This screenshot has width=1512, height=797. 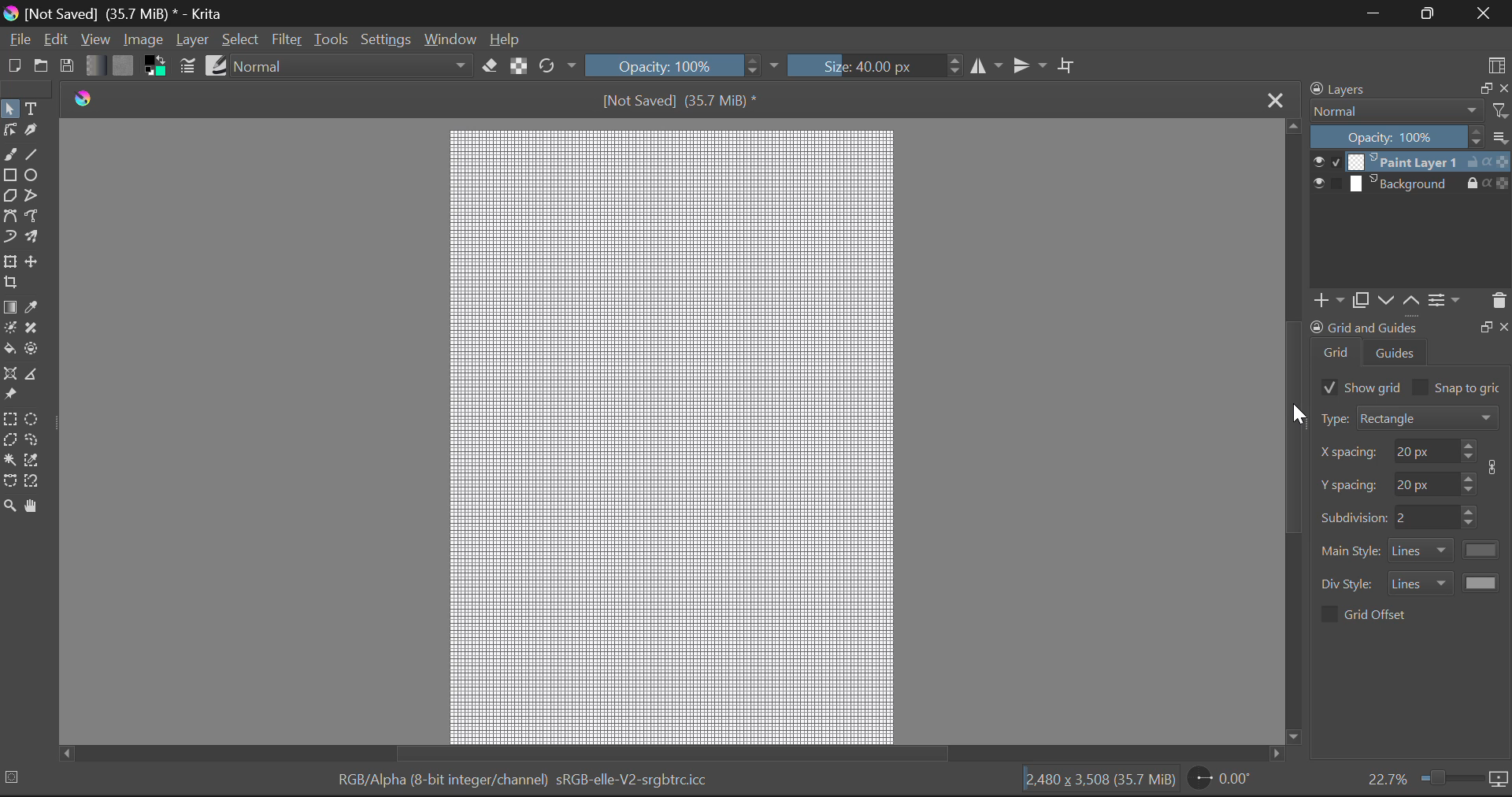 What do you see at coordinates (330, 39) in the screenshot?
I see `Tools` at bounding box center [330, 39].